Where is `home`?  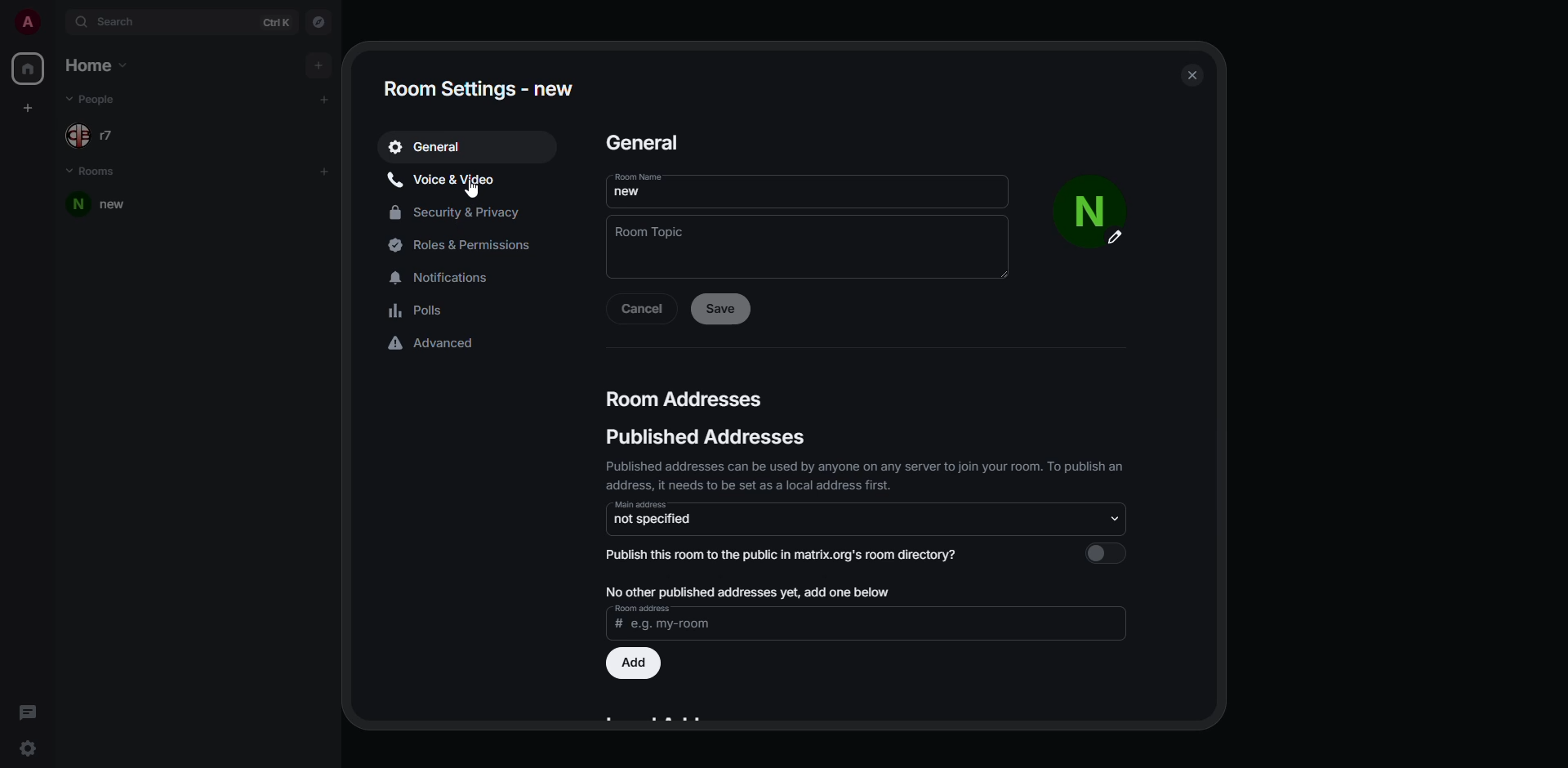
home is located at coordinates (26, 69).